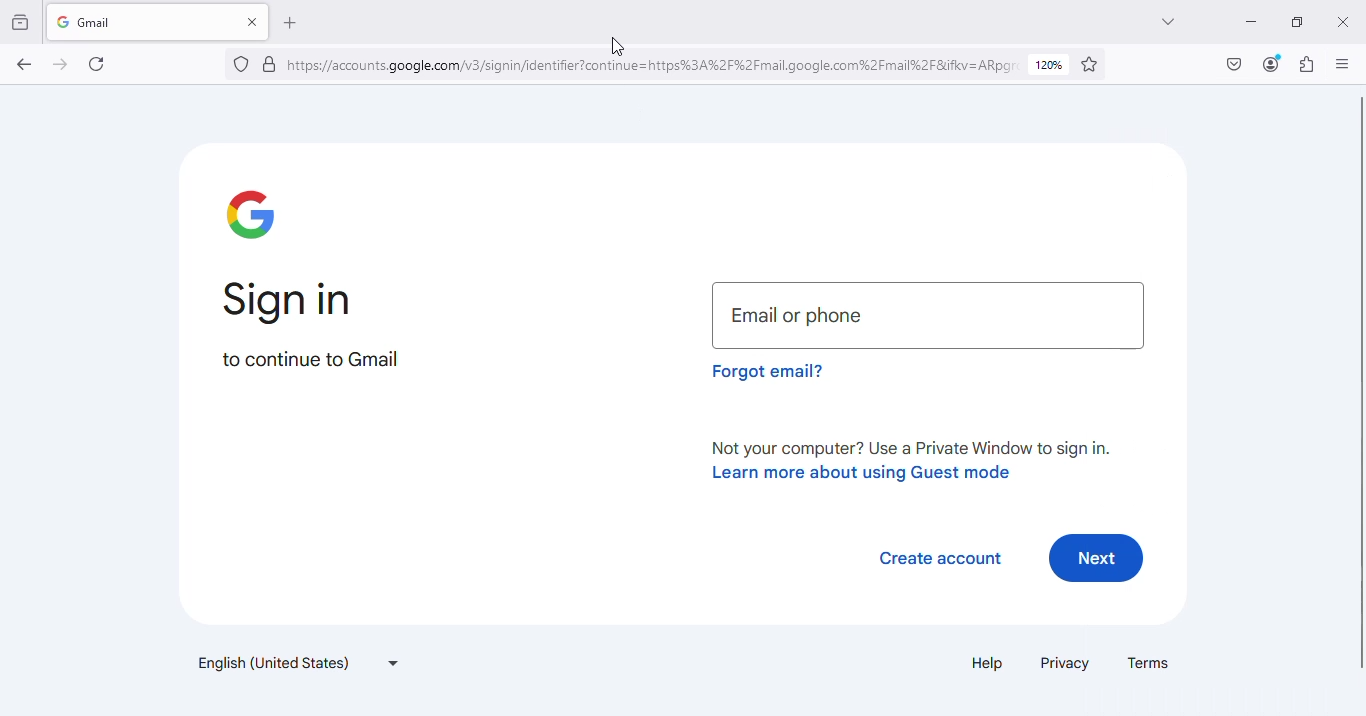 Image resolution: width=1366 pixels, height=716 pixels. Describe the element at coordinates (312, 324) in the screenshot. I see `sign in to continue to Gmail` at that location.